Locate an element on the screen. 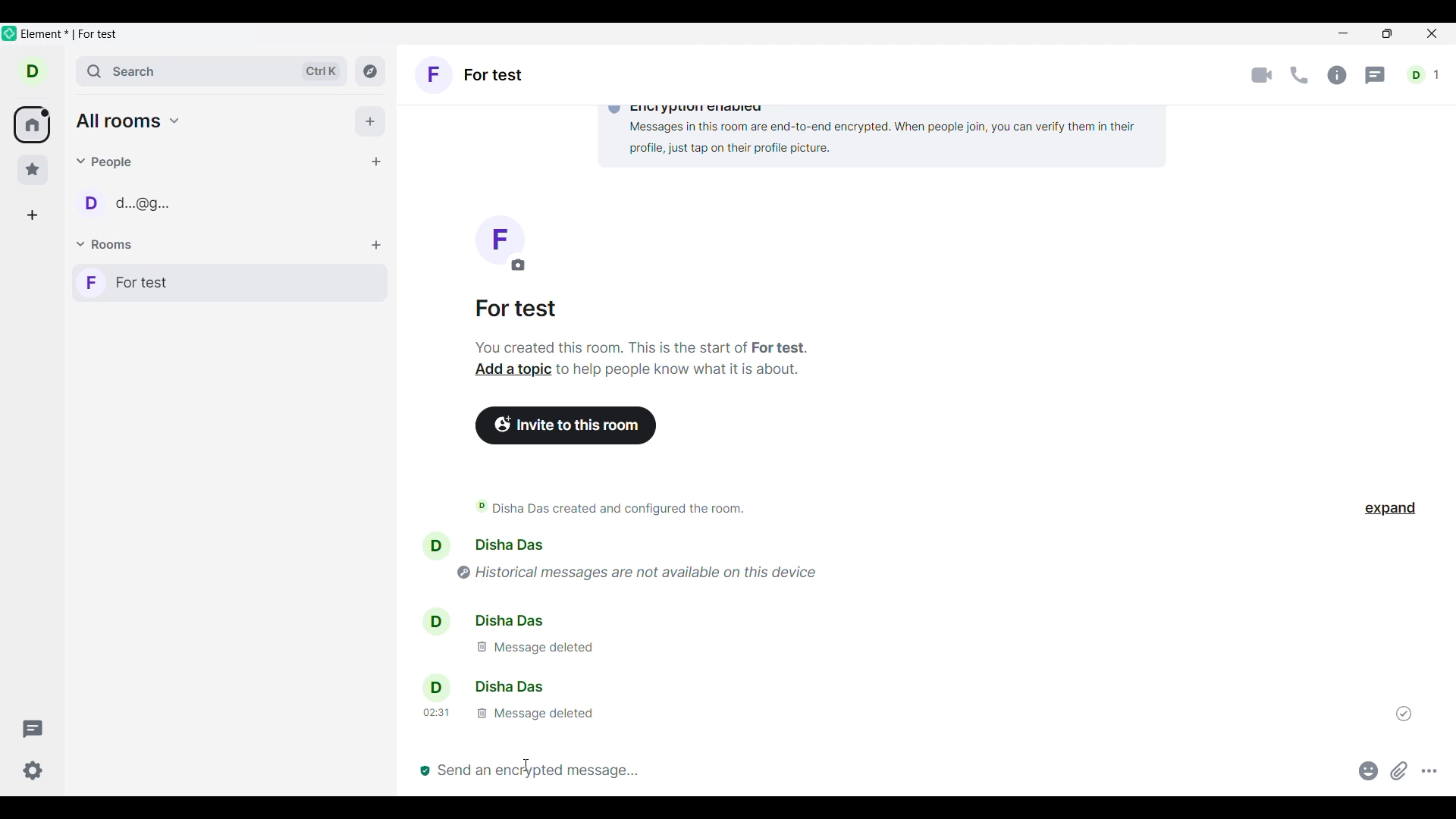  f is located at coordinates (499, 243).